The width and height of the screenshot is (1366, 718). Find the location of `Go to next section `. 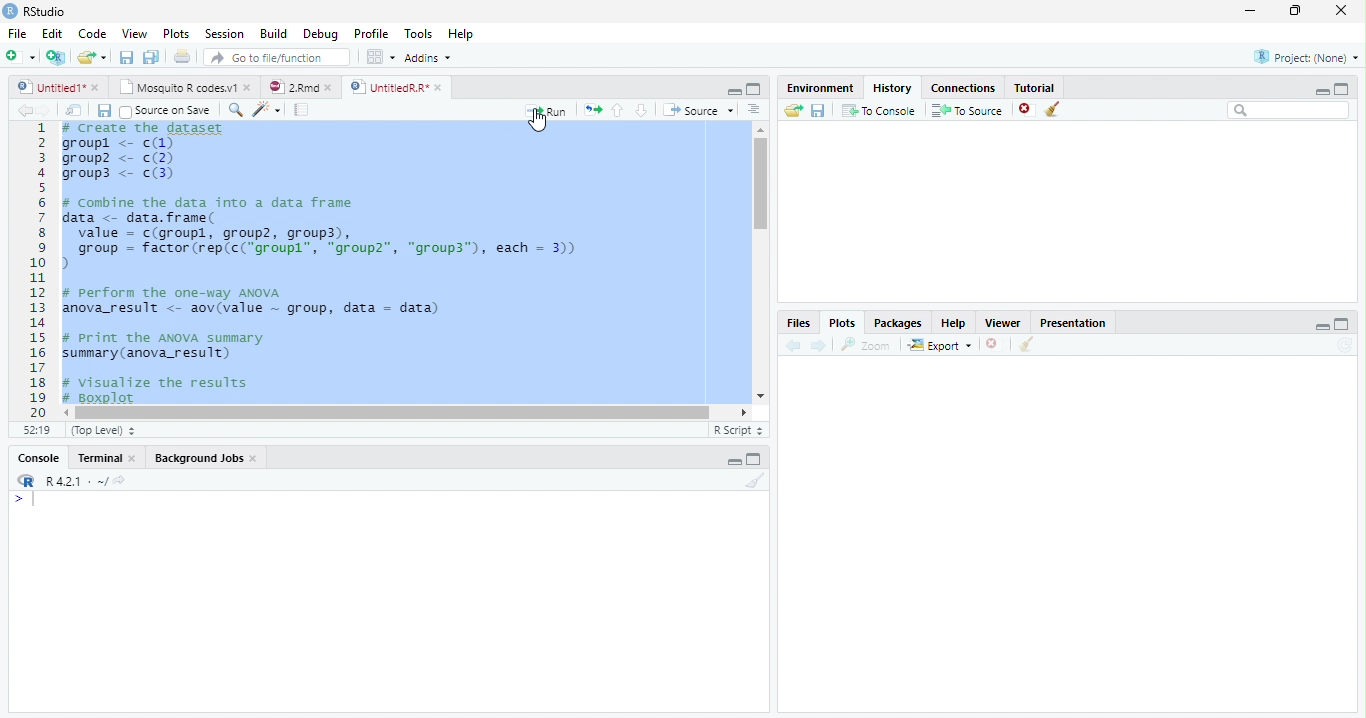

Go to next section  is located at coordinates (642, 111).